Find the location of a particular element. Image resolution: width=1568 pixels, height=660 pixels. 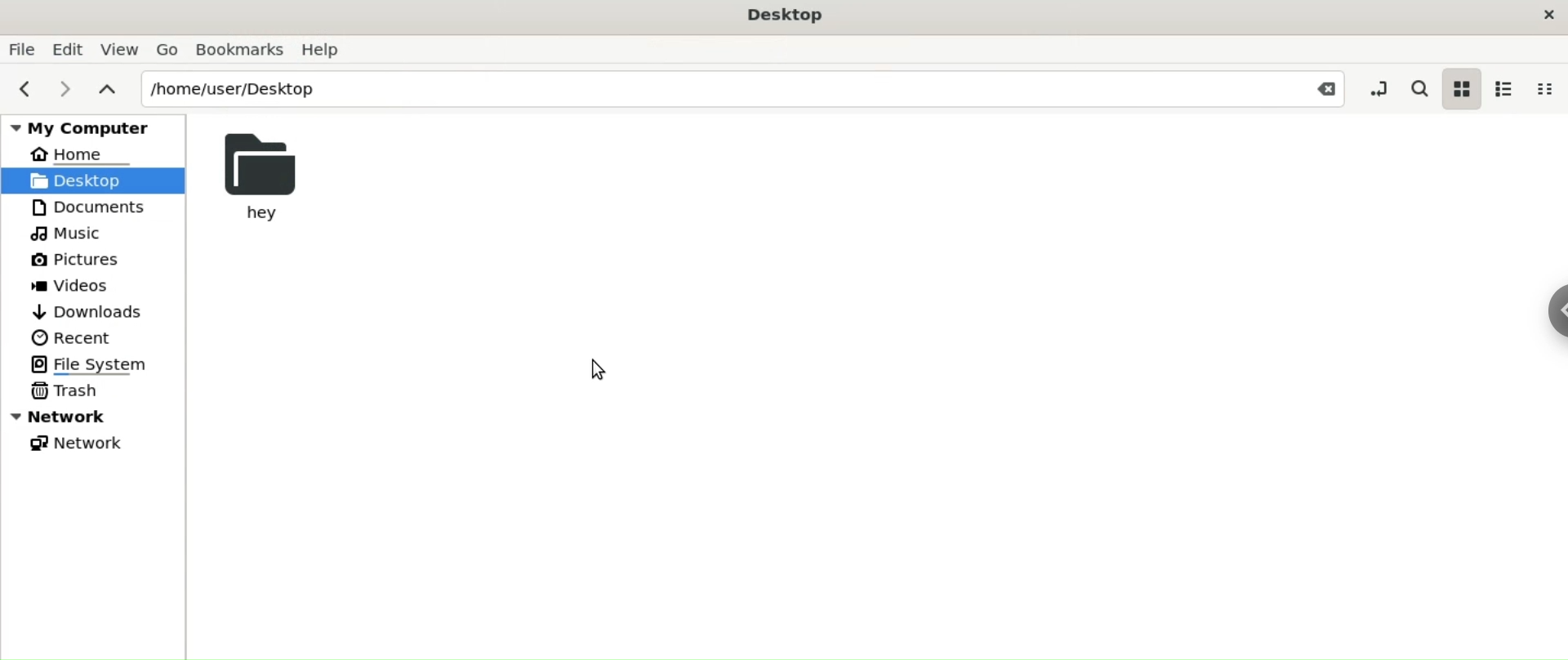

Home is located at coordinates (79, 153).